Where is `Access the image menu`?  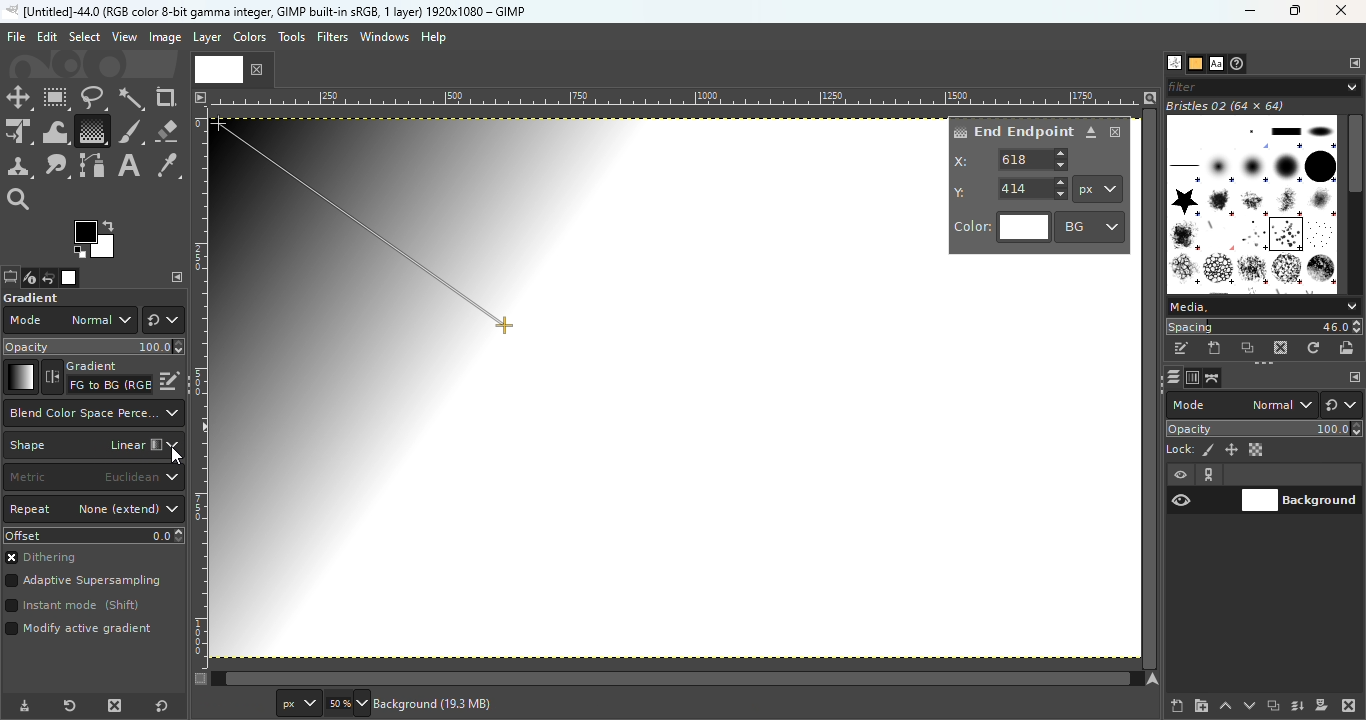
Access the image menu is located at coordinates (199, 95).